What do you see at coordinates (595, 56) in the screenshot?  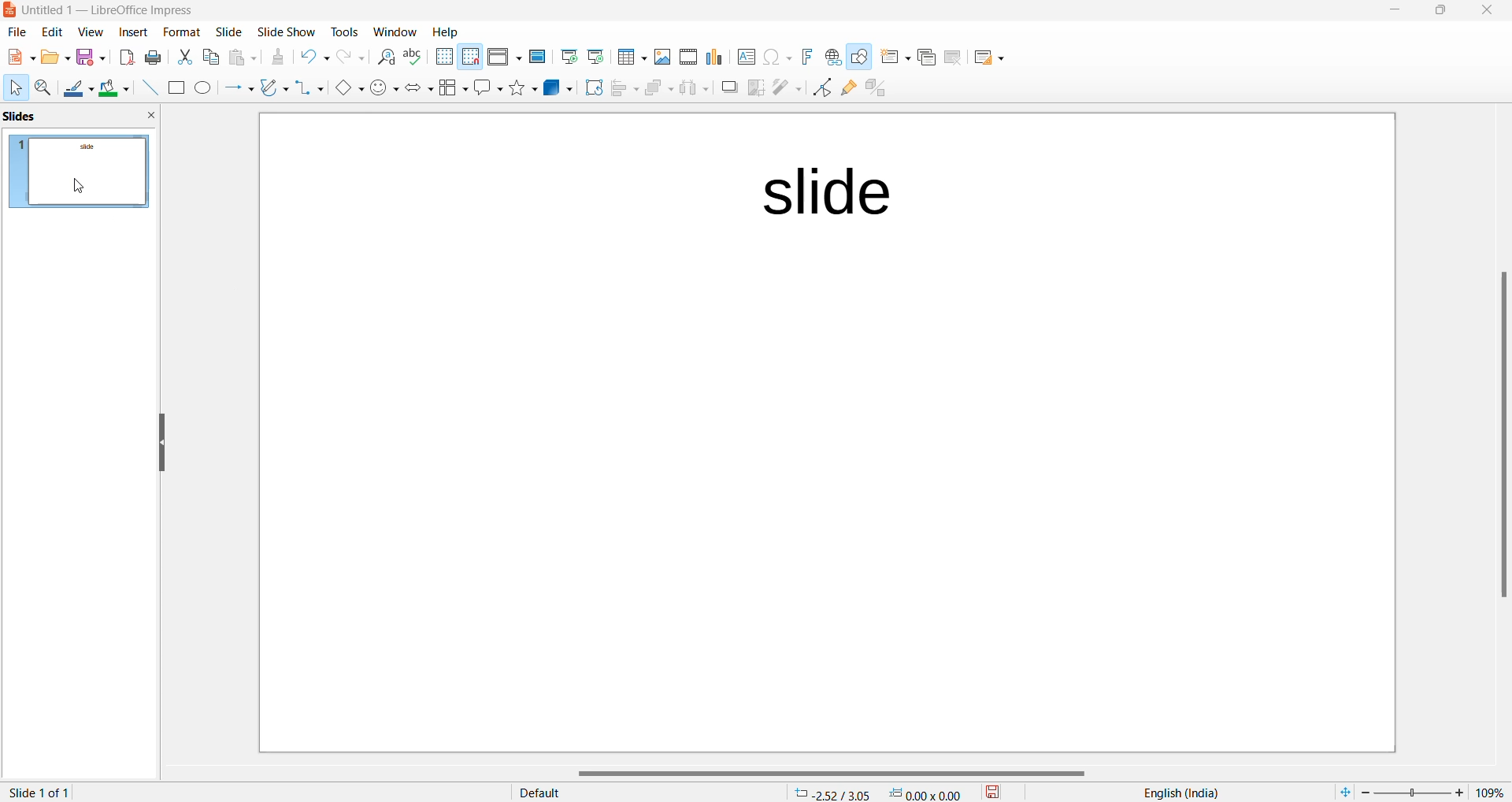 I see `start from current slide` at bounding box center [595, 56].